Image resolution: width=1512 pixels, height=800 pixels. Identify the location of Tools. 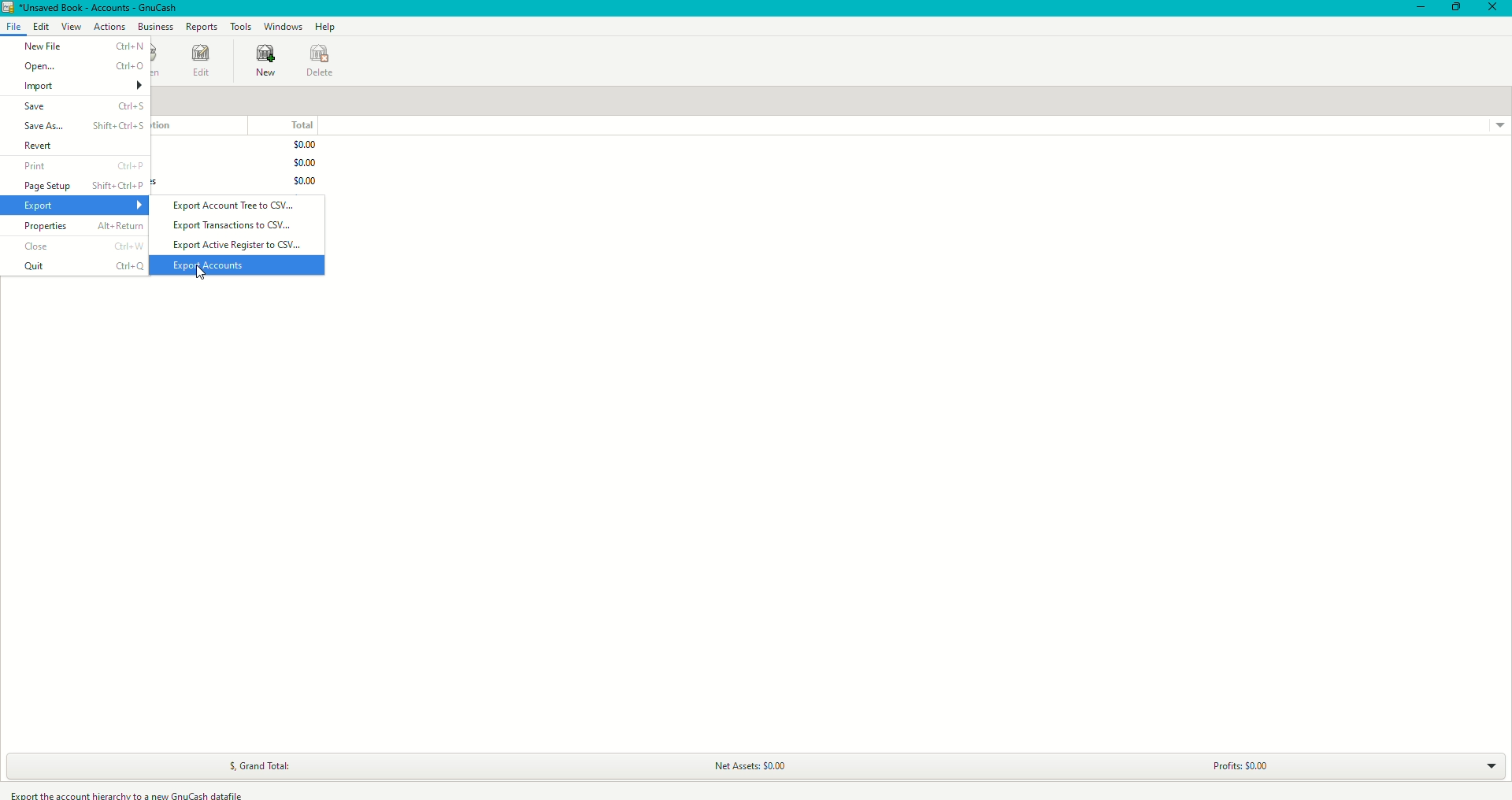
(239, 27).